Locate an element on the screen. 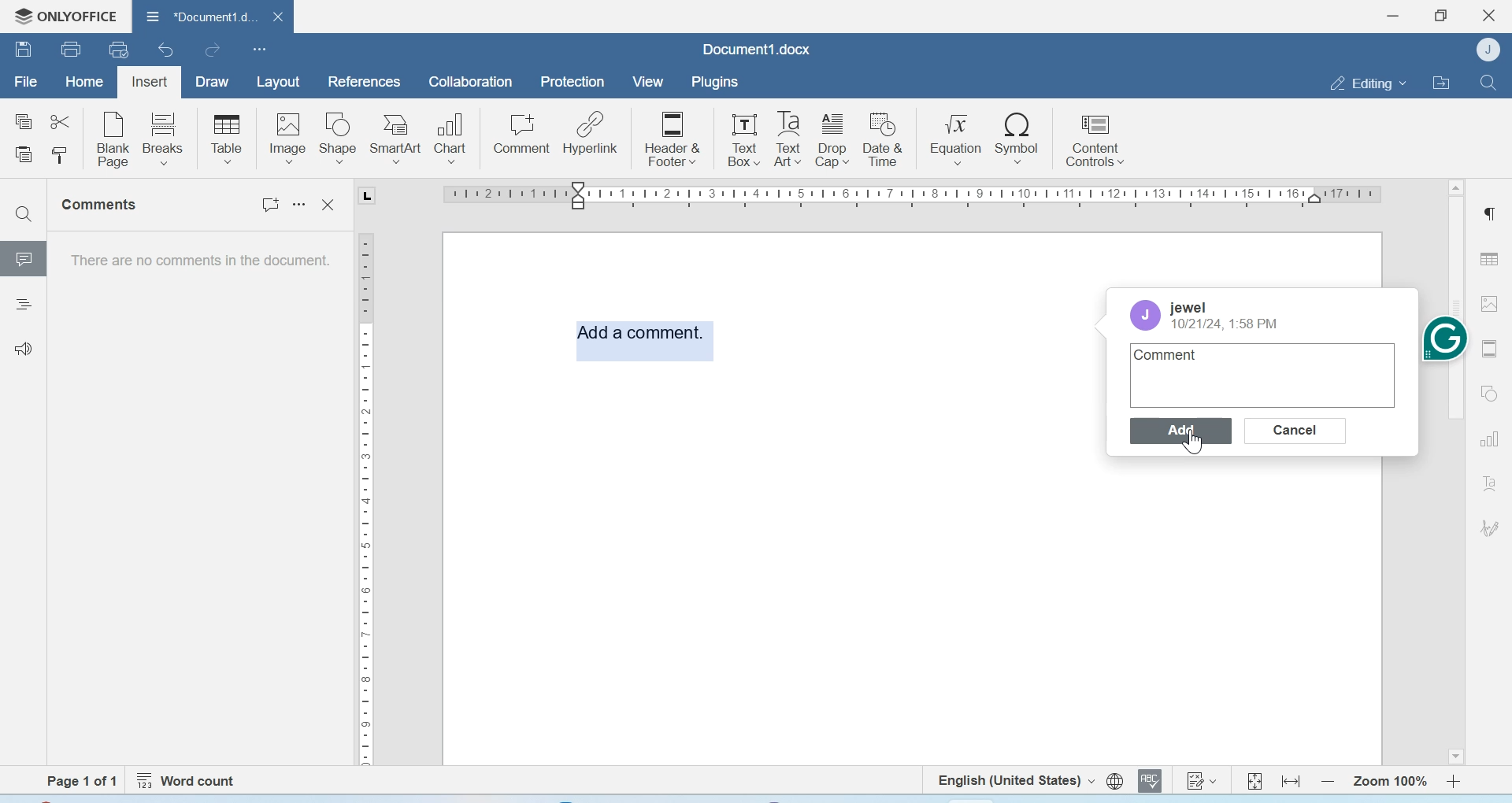 The width and height of the screenshot is (1512, 803). set document language is located at coordinates (1115, 781).